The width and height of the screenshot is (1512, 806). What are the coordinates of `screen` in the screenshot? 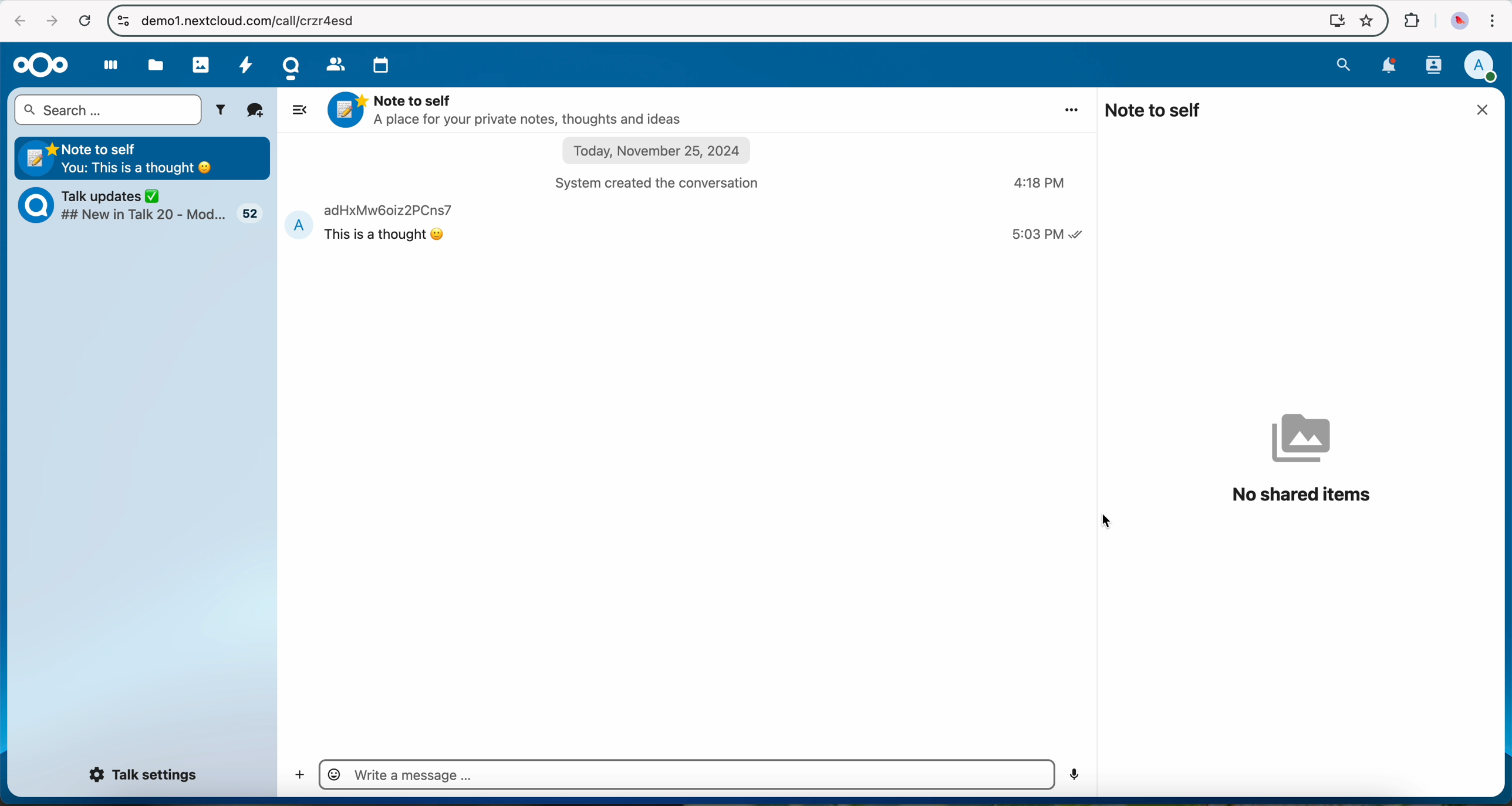 It's located at (1332, 21).